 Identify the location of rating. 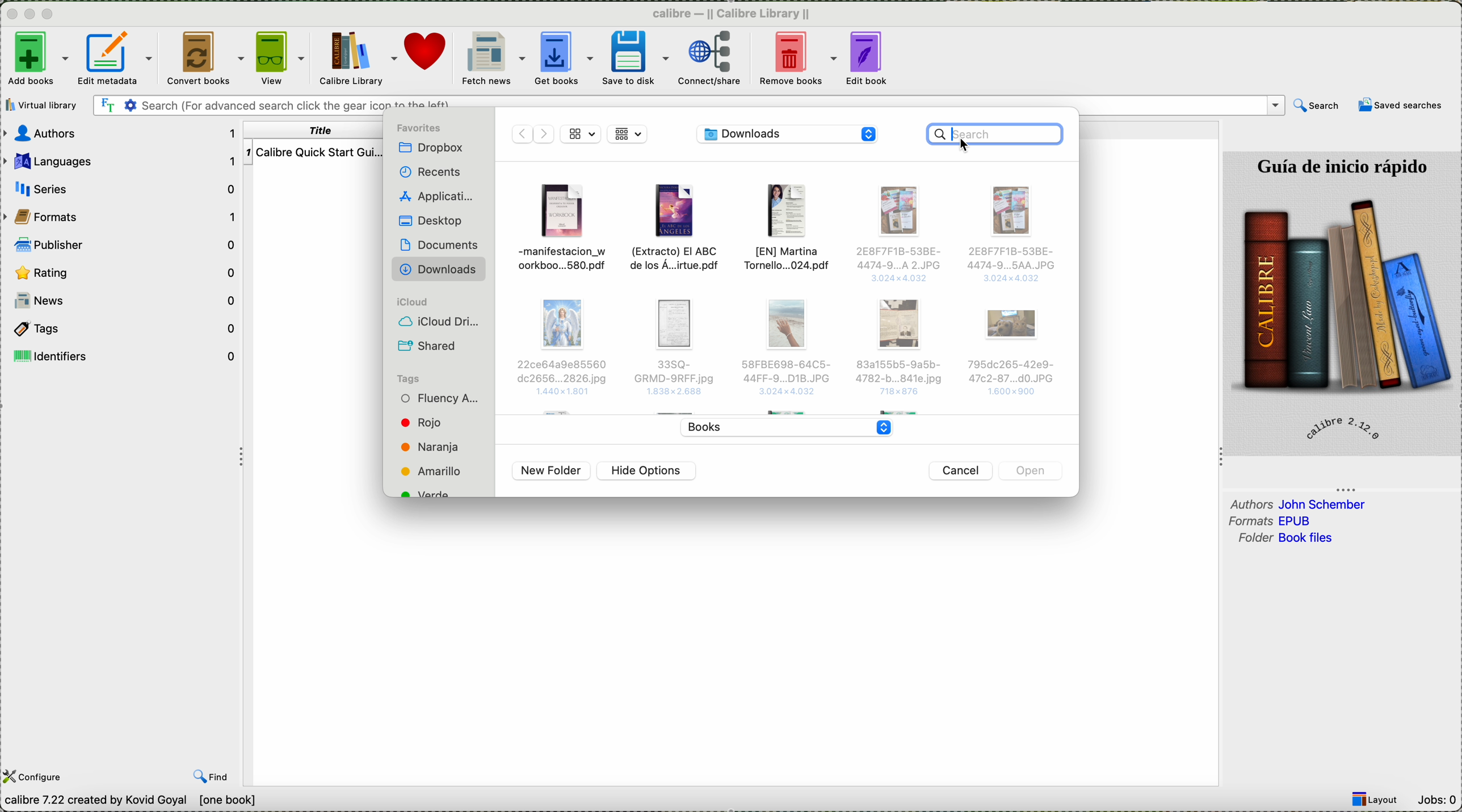
(123, 274).